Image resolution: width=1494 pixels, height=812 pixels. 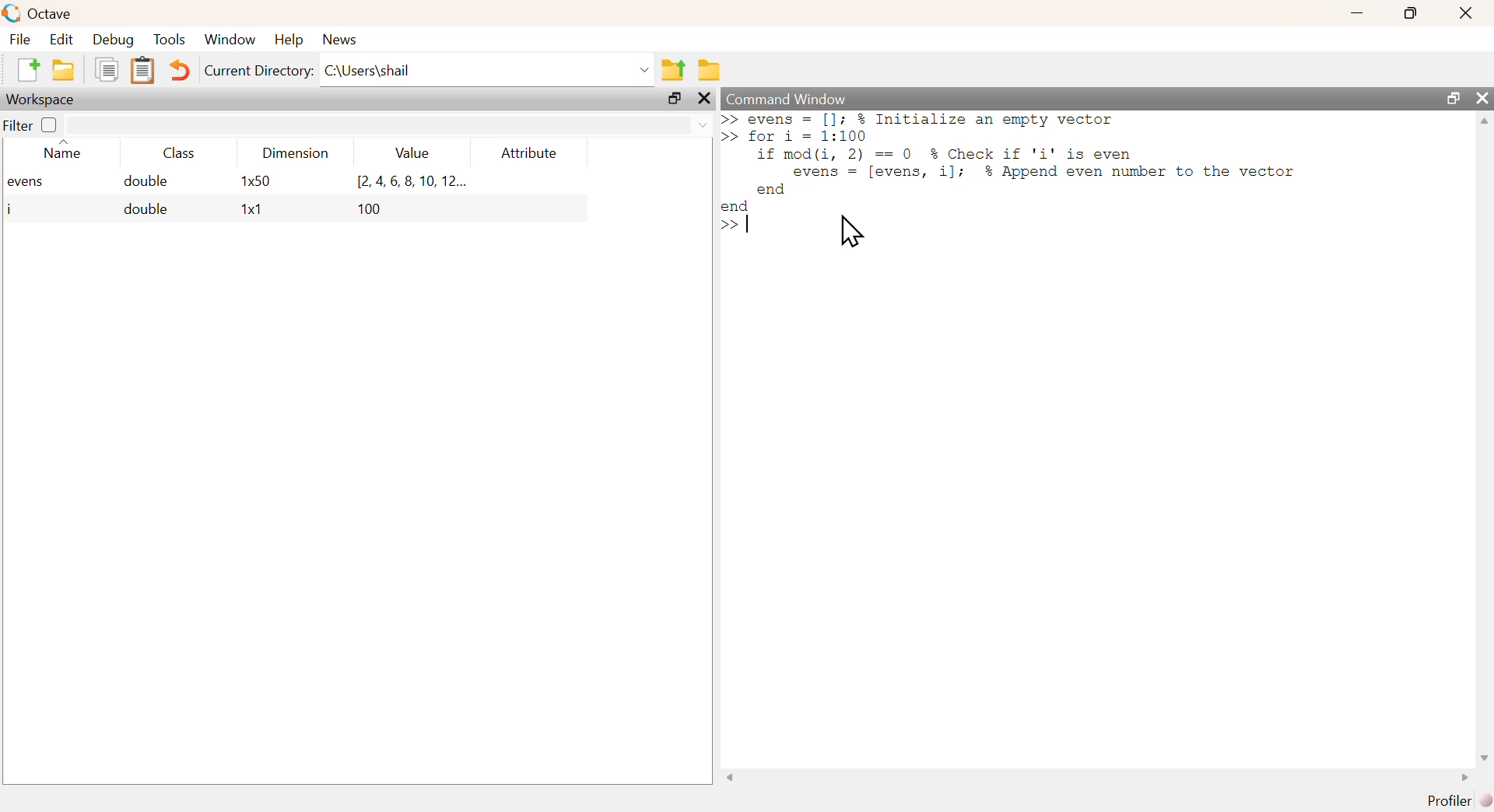 What do you see at coordinates (1483, 98) in the screenshot?
I see `close` at bounding box center [1483, 98].